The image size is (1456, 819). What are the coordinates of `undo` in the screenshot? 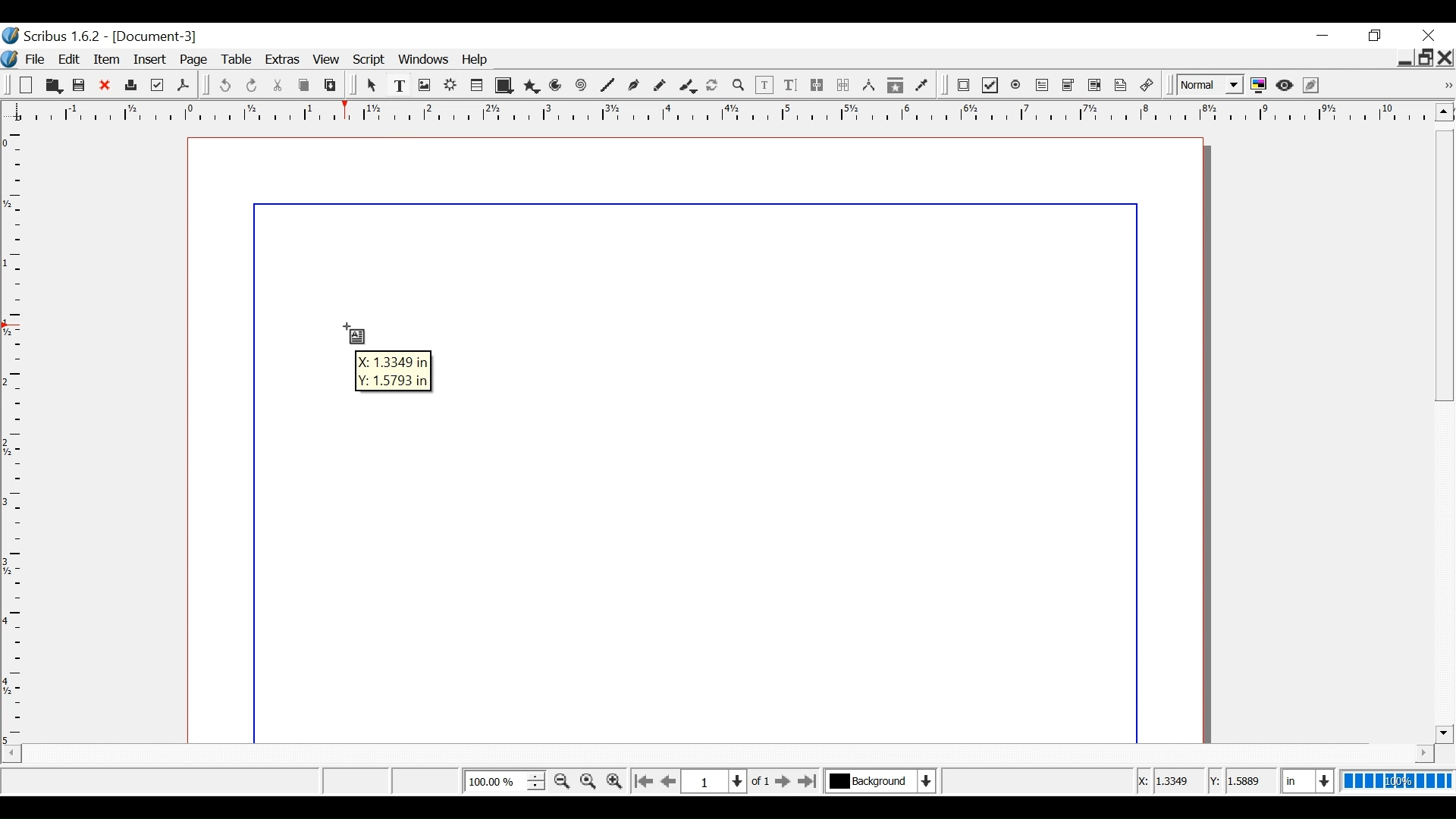 It's located at (224, 83).